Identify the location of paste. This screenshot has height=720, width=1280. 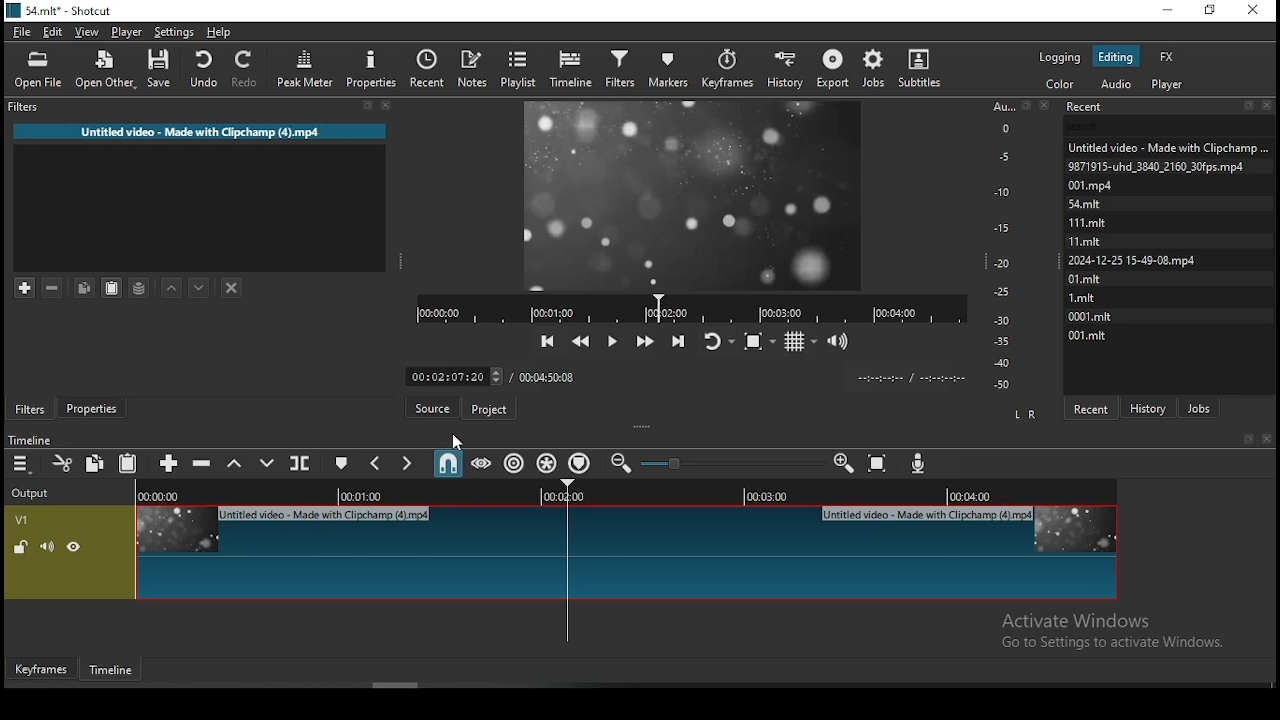
(128, 463).